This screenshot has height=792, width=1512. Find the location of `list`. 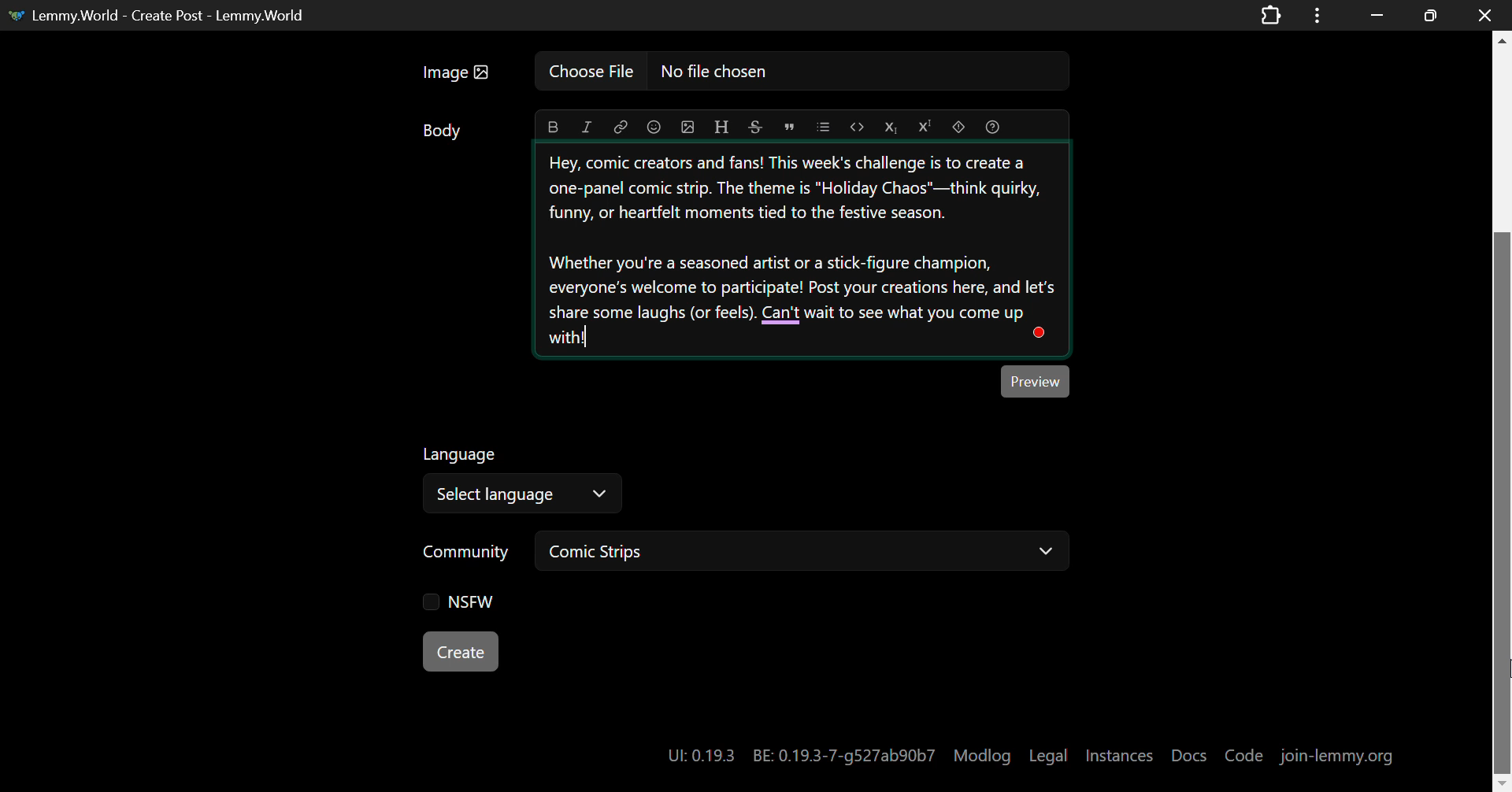

list is located at coordinates (821, 126).